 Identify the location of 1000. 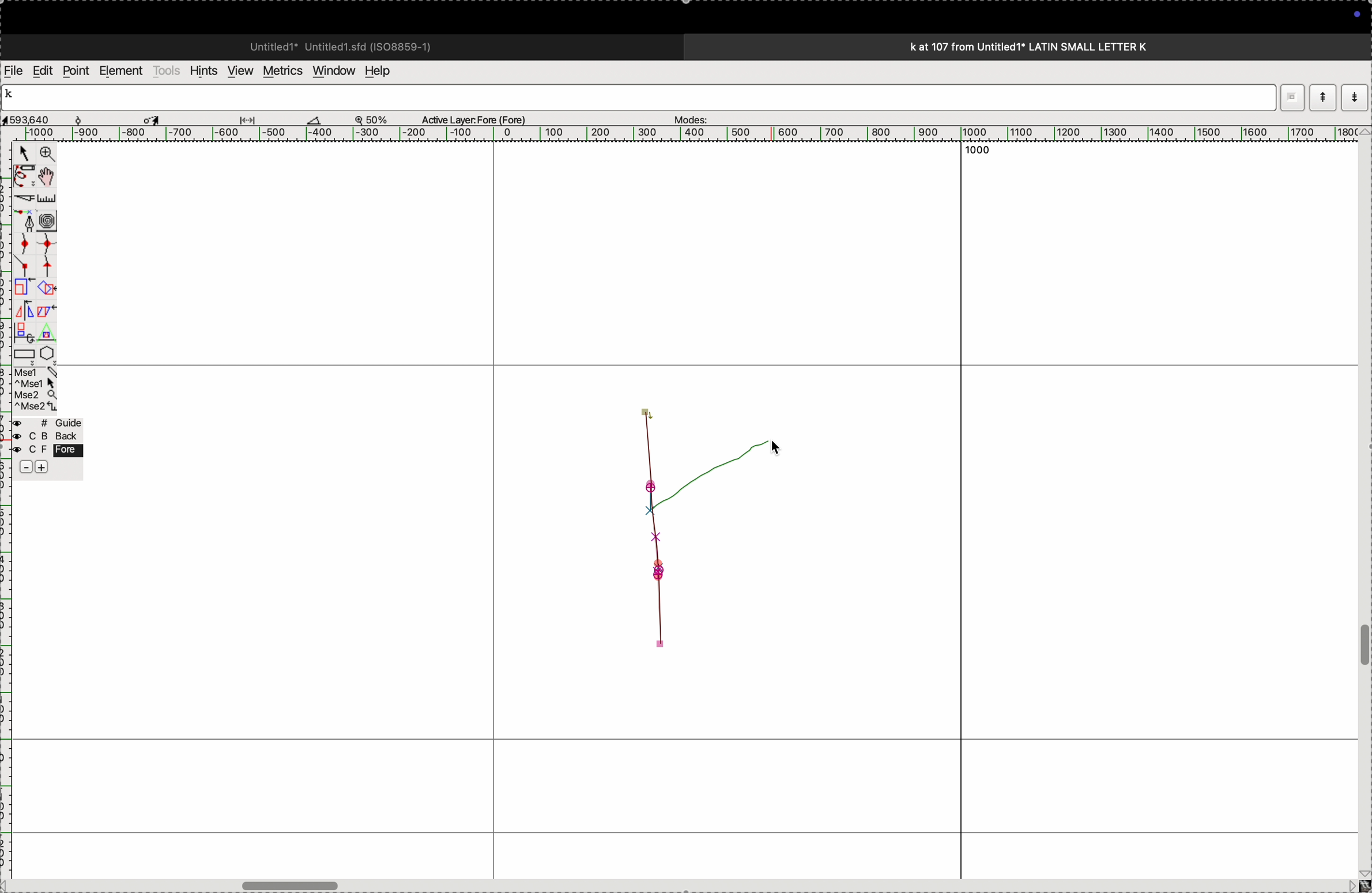
(981, 154).